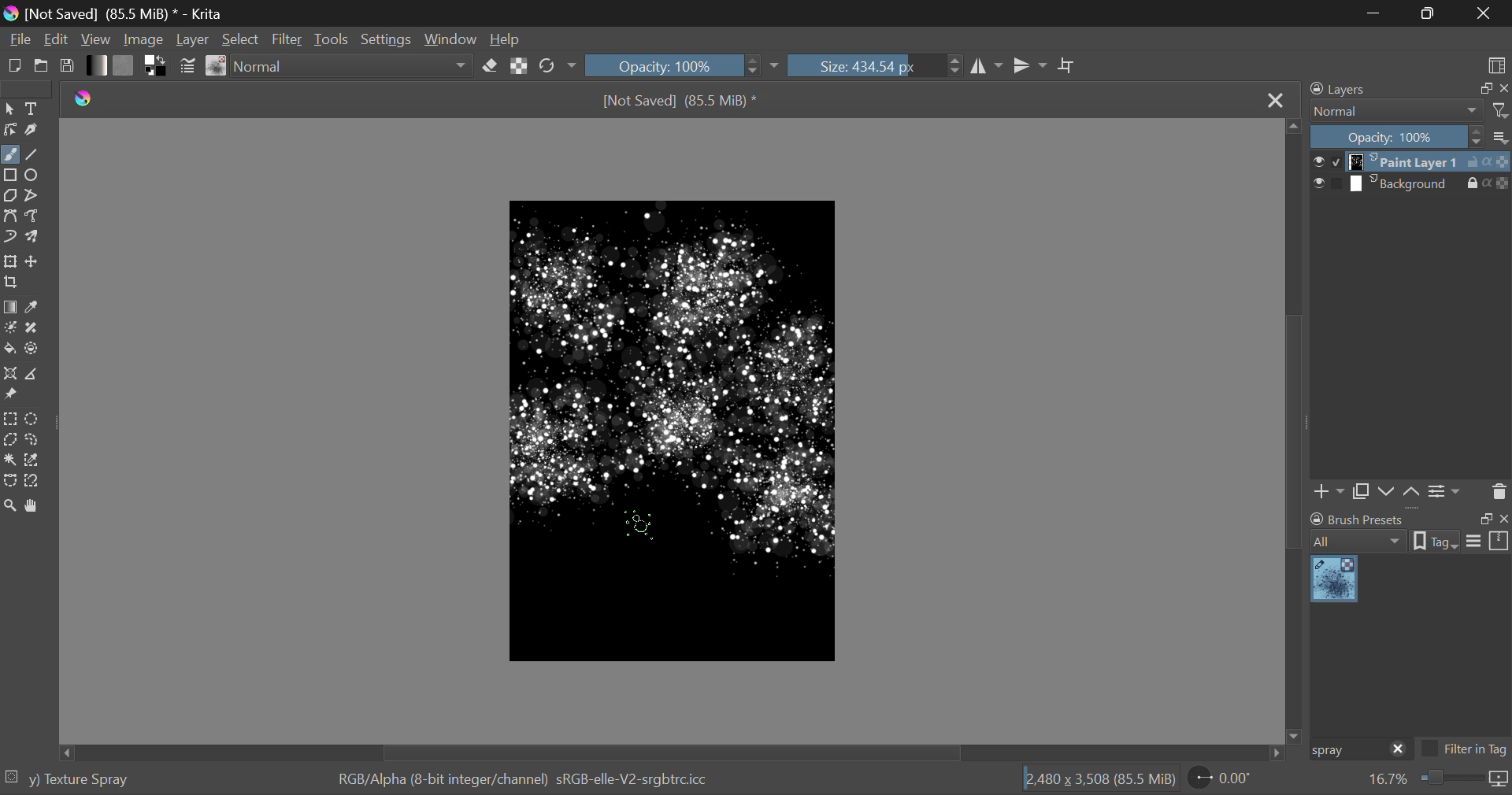  What do you see at coordinates (9, 458) in the screenshot?
I see `Continuous Fill` at bounding box center [9, 458].